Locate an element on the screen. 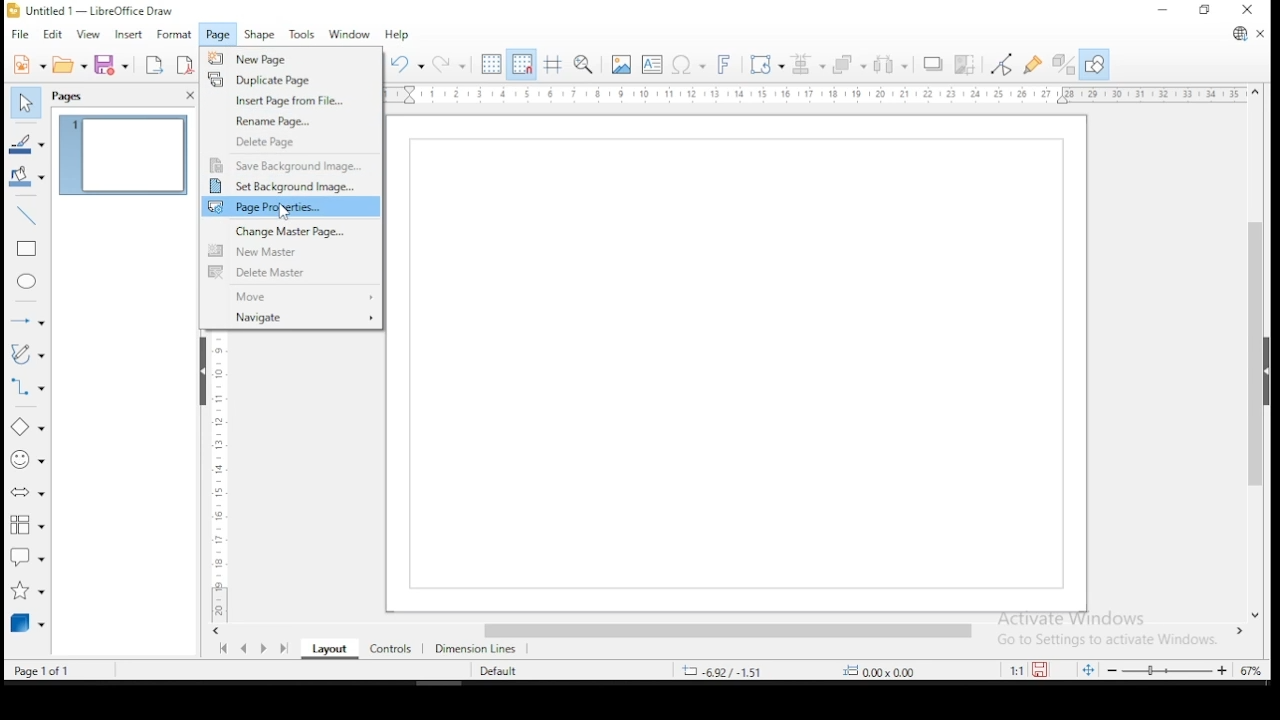  align objects is located at coordinates (806, 67).